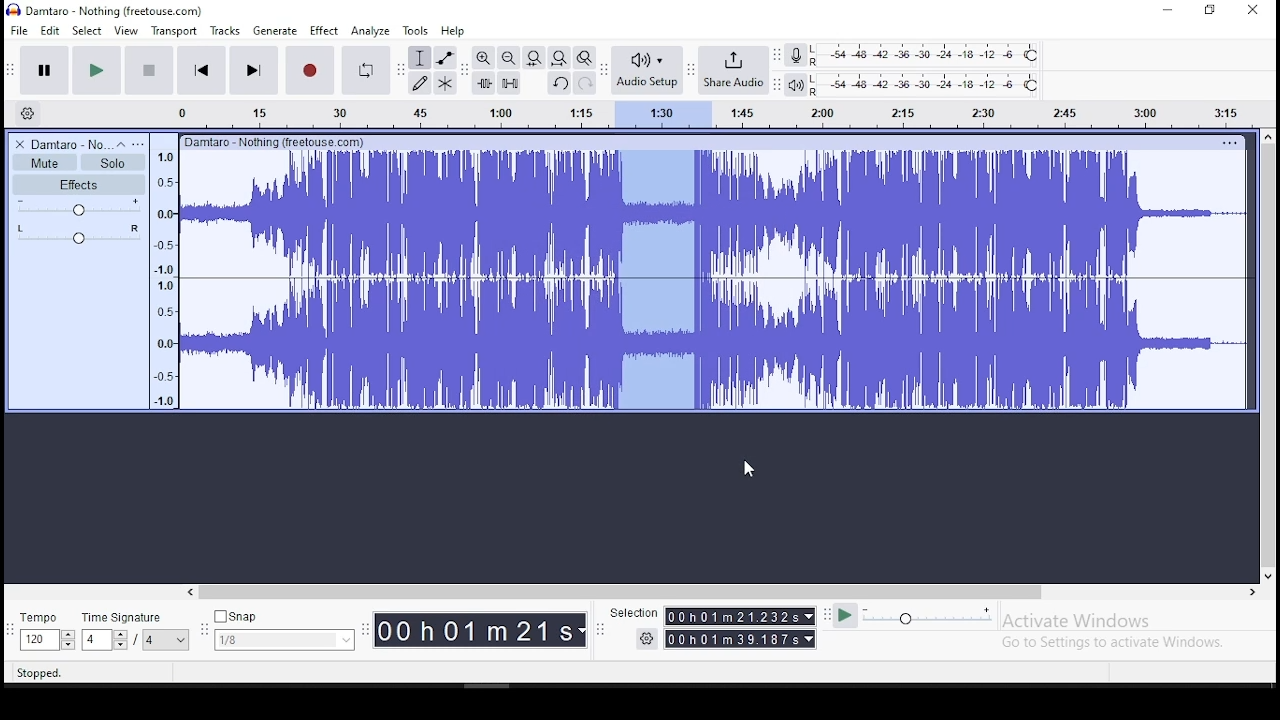 The height and width of the screenshot is (720, 1280). Describe the element at coordinates (1116, 642) in the screenshot. I see `Go to Settings to activate Windows.` at that location.